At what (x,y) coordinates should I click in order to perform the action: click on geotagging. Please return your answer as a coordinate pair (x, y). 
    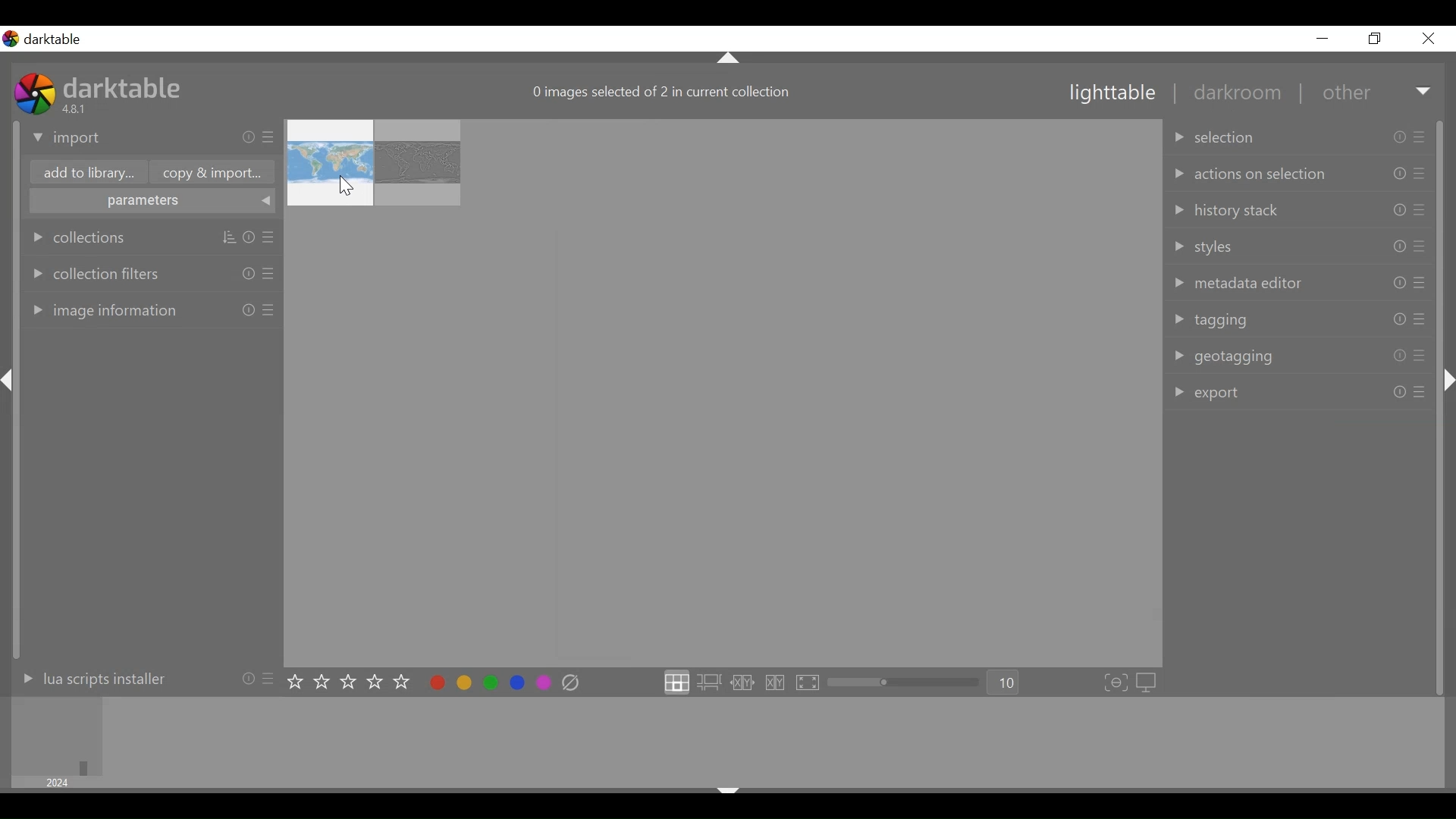
    Looking at the image, I should click on (1303, 359).